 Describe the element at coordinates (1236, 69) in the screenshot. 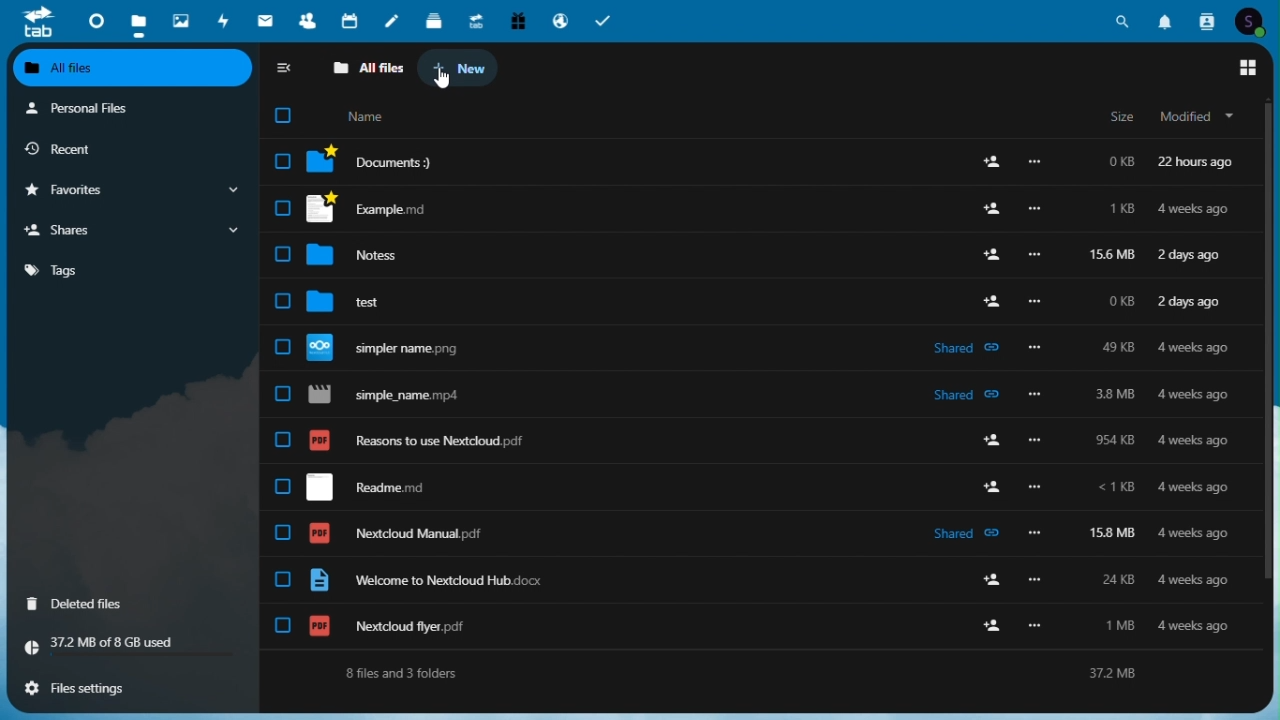

I see `main menu` at that location.